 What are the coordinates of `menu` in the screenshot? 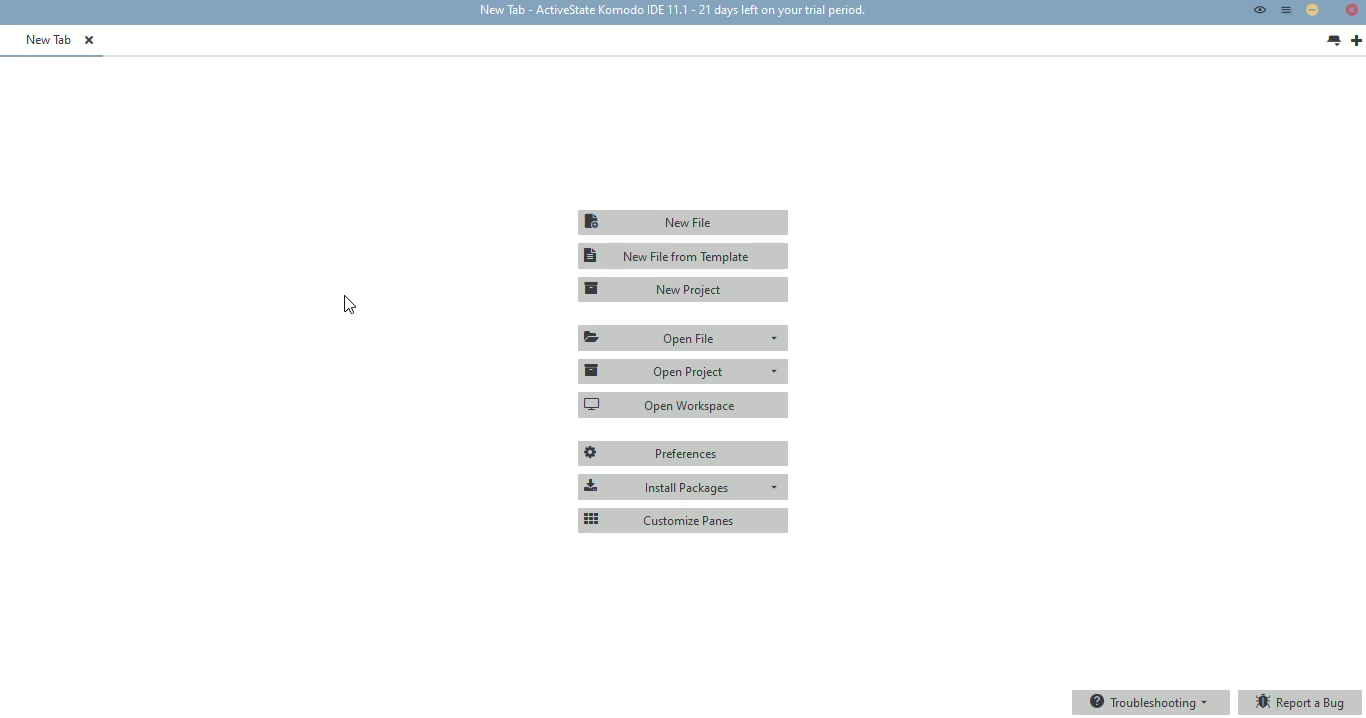 It's located at (1287, 10).